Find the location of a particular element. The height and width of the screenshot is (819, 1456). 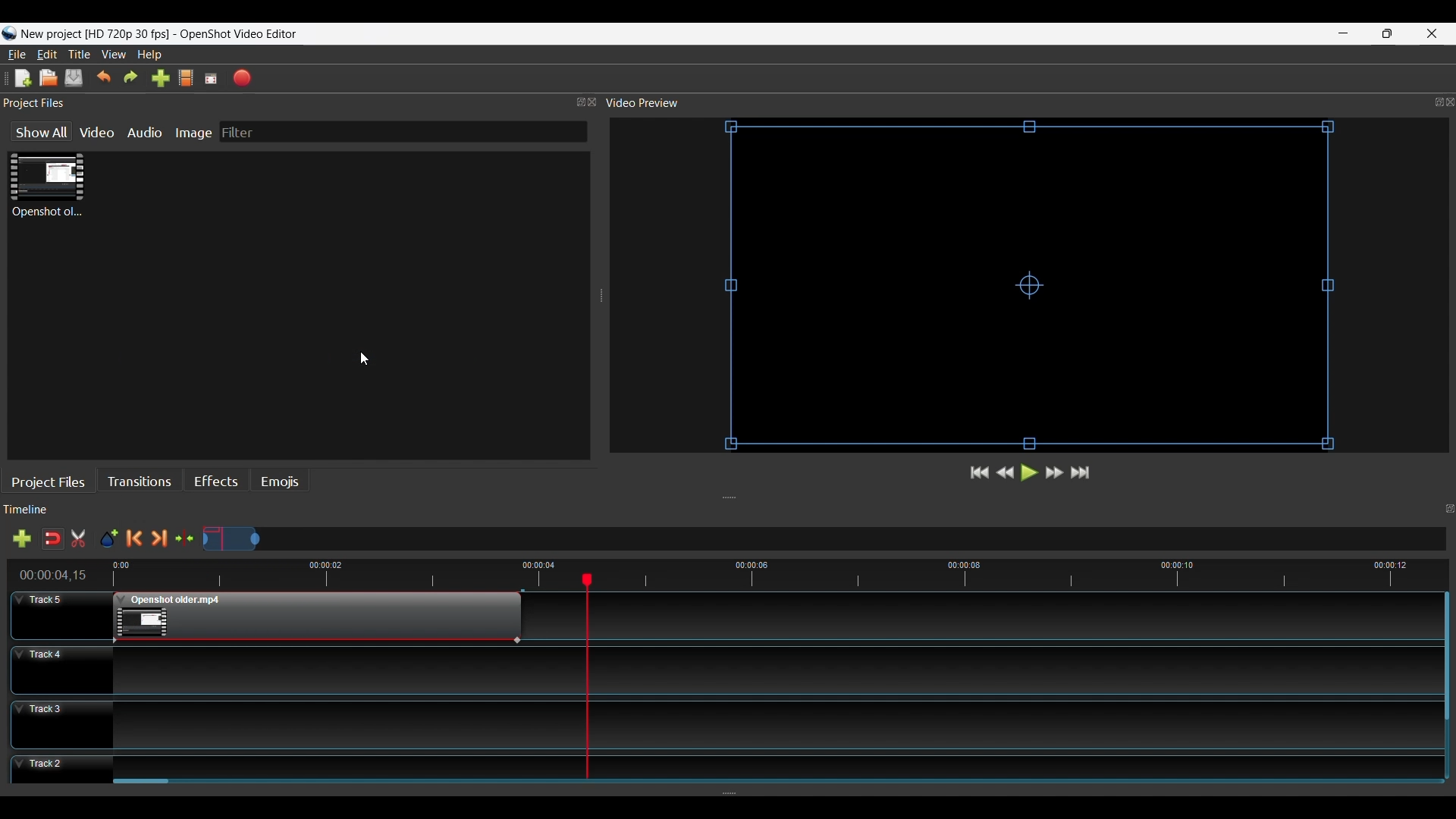

Next Marker is located at coordinates (162, 538).